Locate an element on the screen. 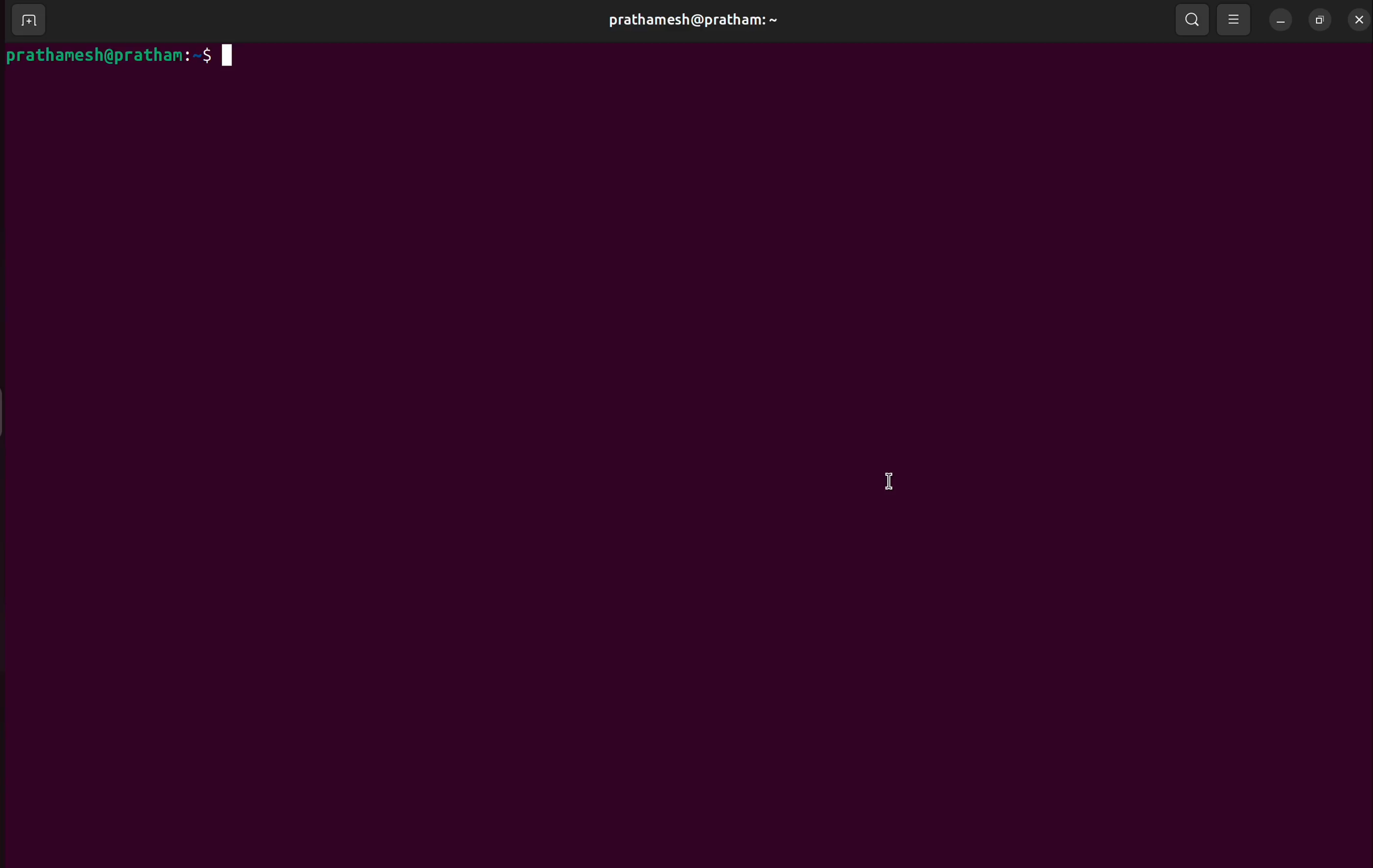 This screenshot has height=868, width=1373. prathmesh@pratham:~ $ is located at coordinates (118, 54).